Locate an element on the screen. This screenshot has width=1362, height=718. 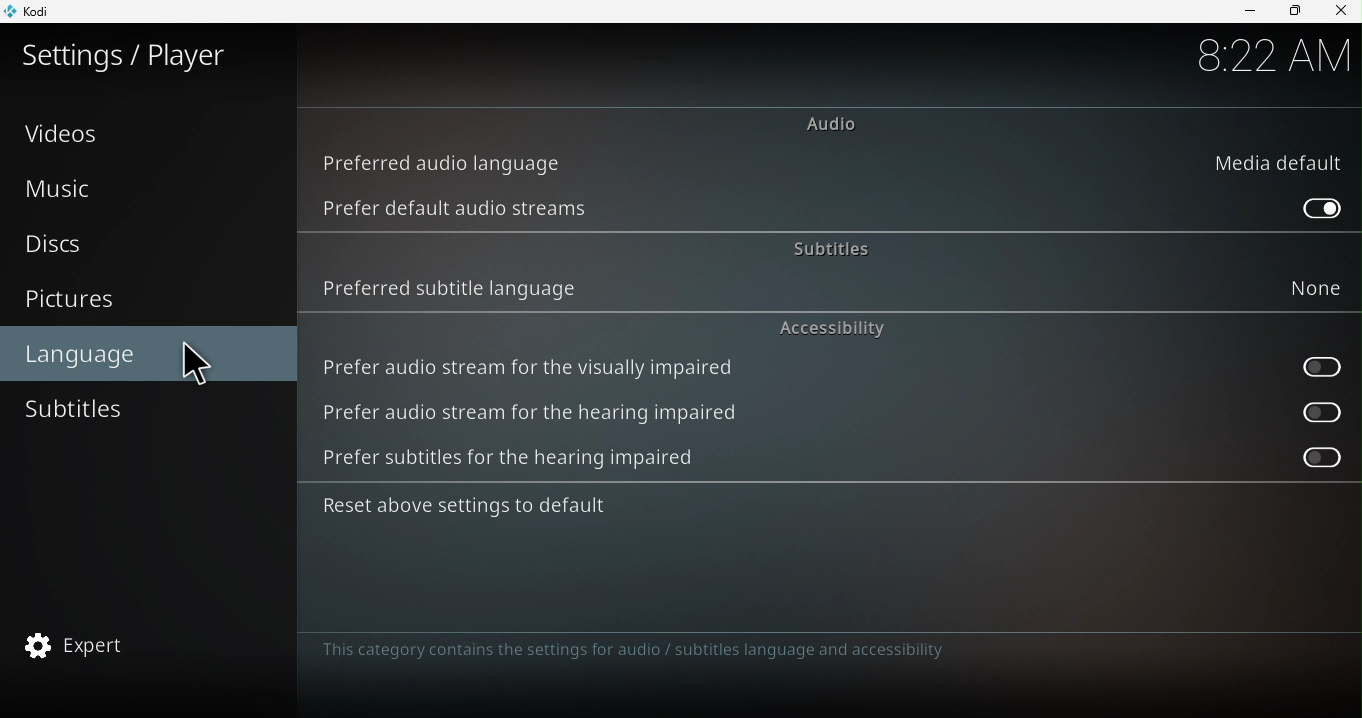
cursor is located at coordinates (197, 370).